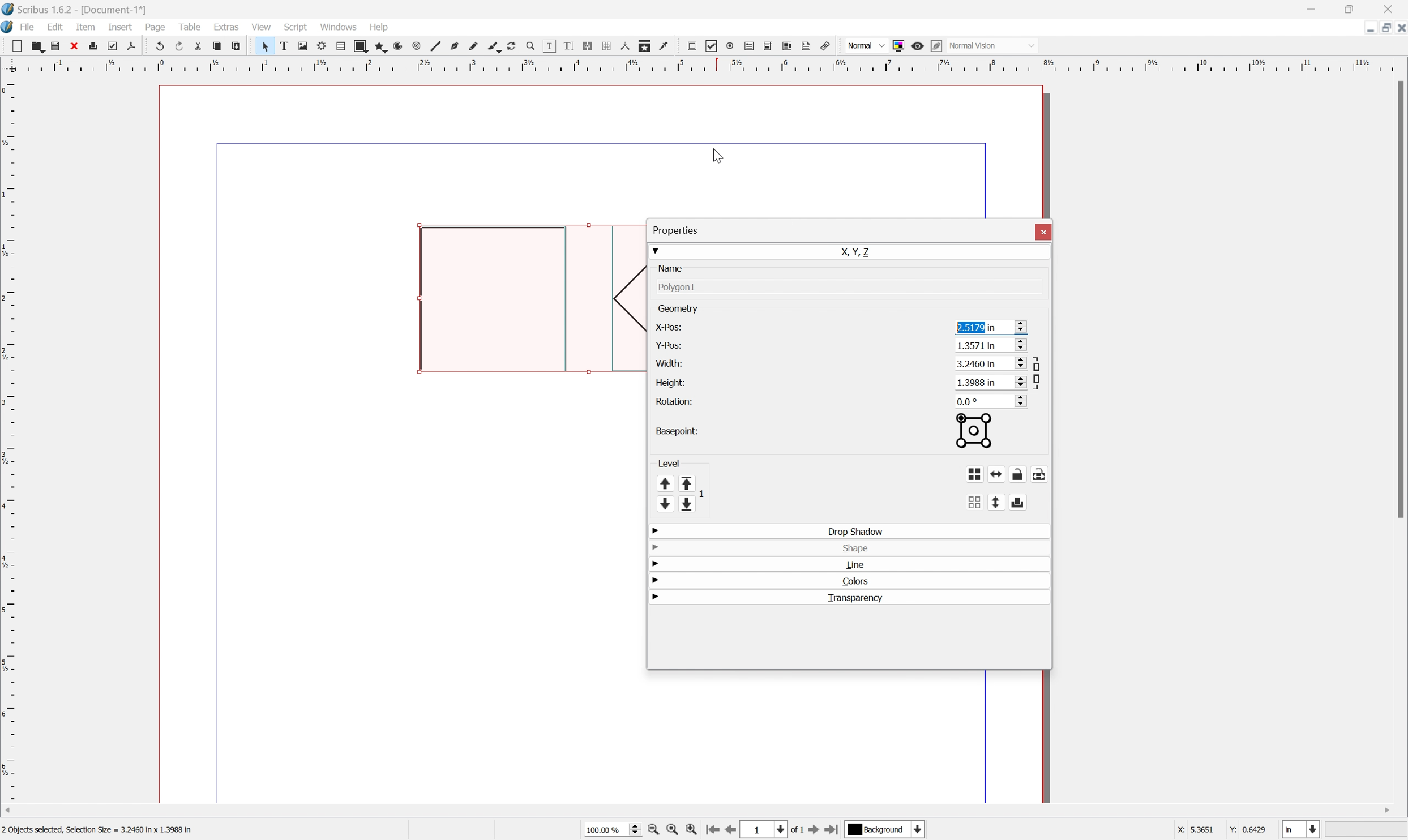 Image resolution: width=1408 pixels, height=840 pixels. I want to click on line, so click(853, 564).